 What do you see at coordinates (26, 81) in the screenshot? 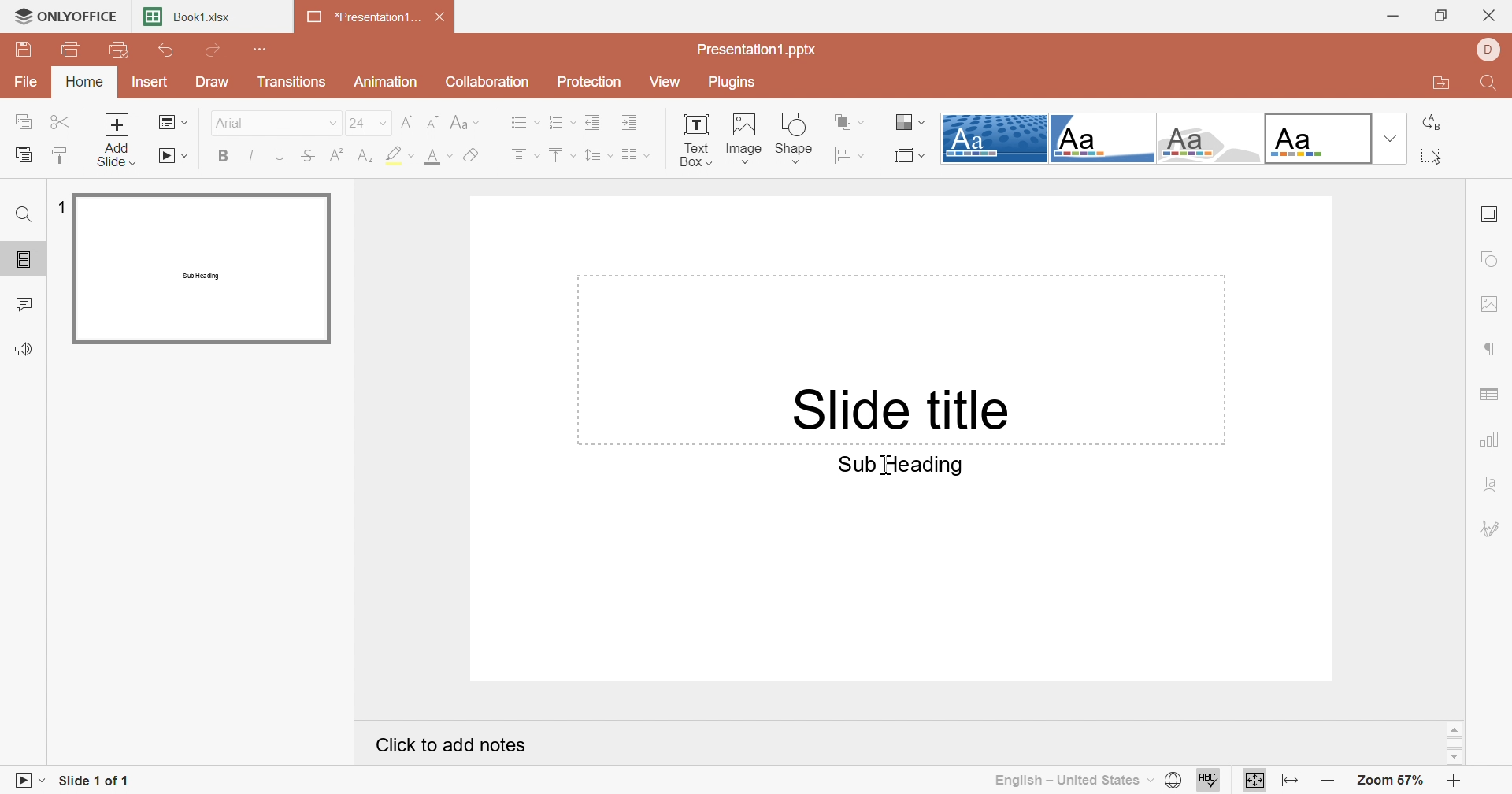
I see `File` at bounding box center [26, 81].